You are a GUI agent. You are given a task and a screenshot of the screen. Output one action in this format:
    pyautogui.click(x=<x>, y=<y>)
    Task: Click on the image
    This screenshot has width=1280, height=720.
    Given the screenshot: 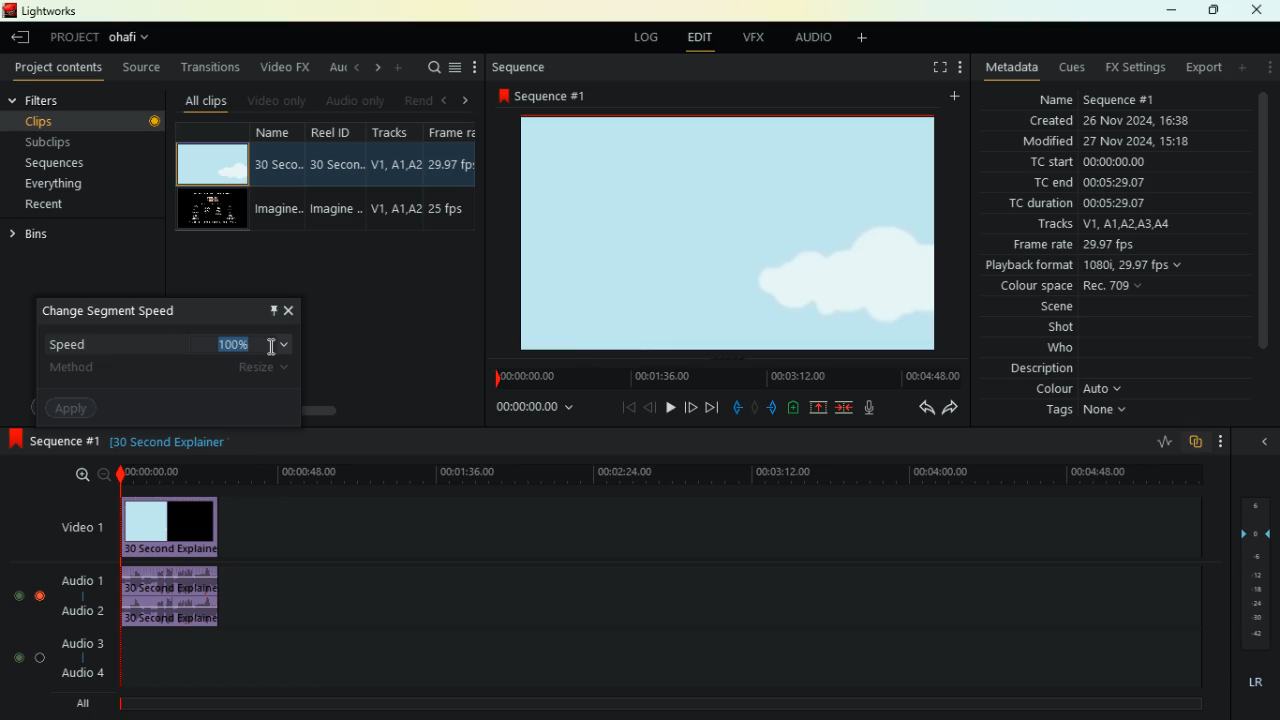 What is the action you would take?
    pyautogui.click(x=731, y=232)
    